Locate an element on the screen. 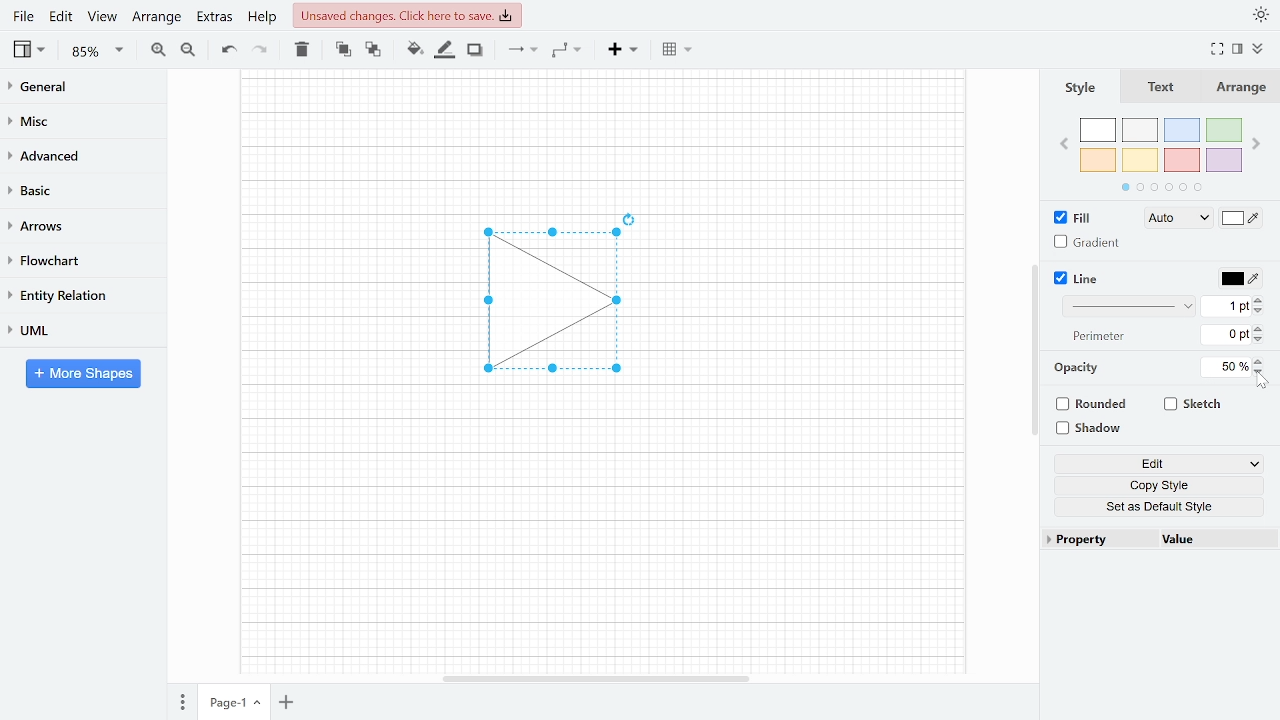 The height and width of the screenshot is (720, 1280). Redo is located at coordinates (258, 48).